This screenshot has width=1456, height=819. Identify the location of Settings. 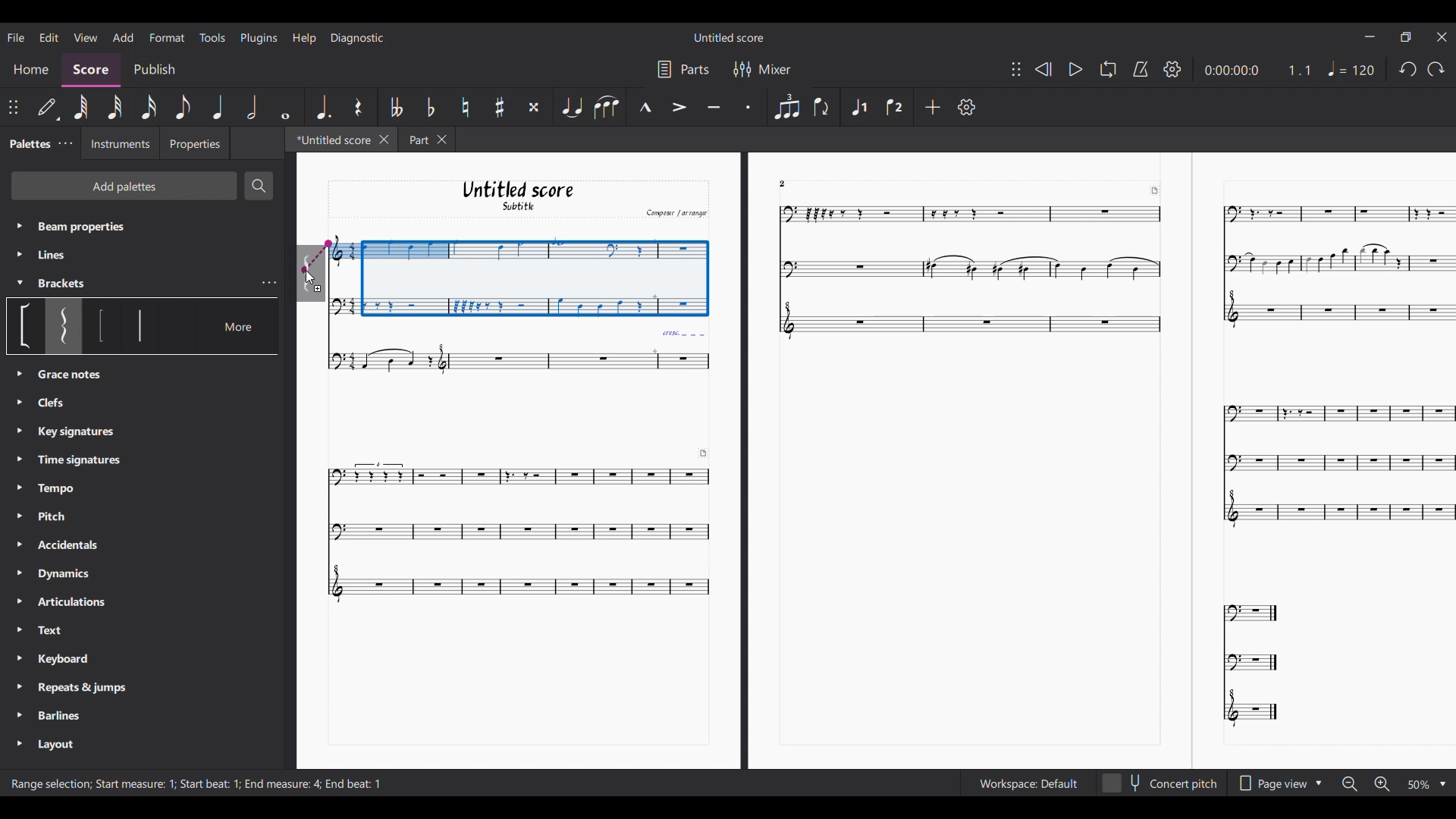
(966, 107).